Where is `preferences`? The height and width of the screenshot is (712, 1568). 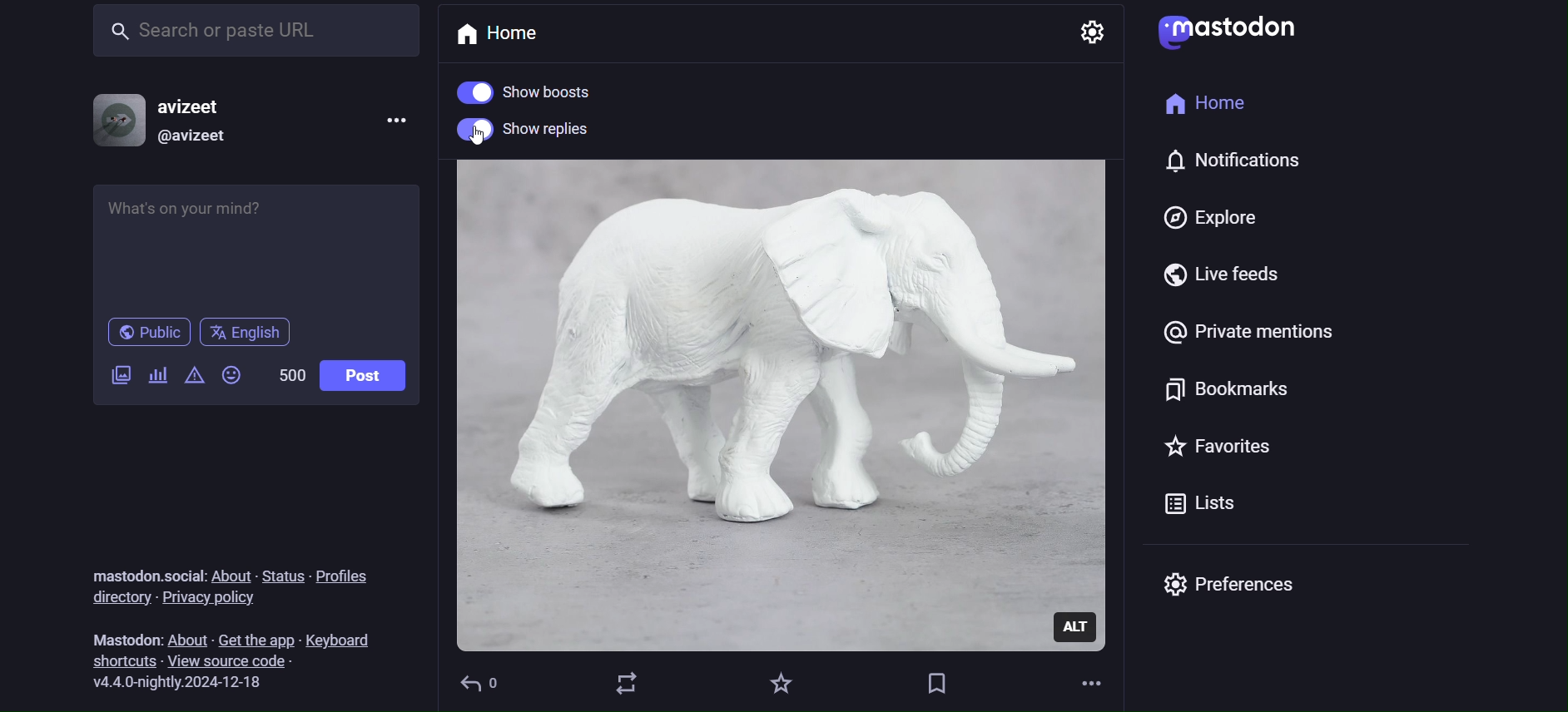 preferences is located at coordinates (1243, 591).